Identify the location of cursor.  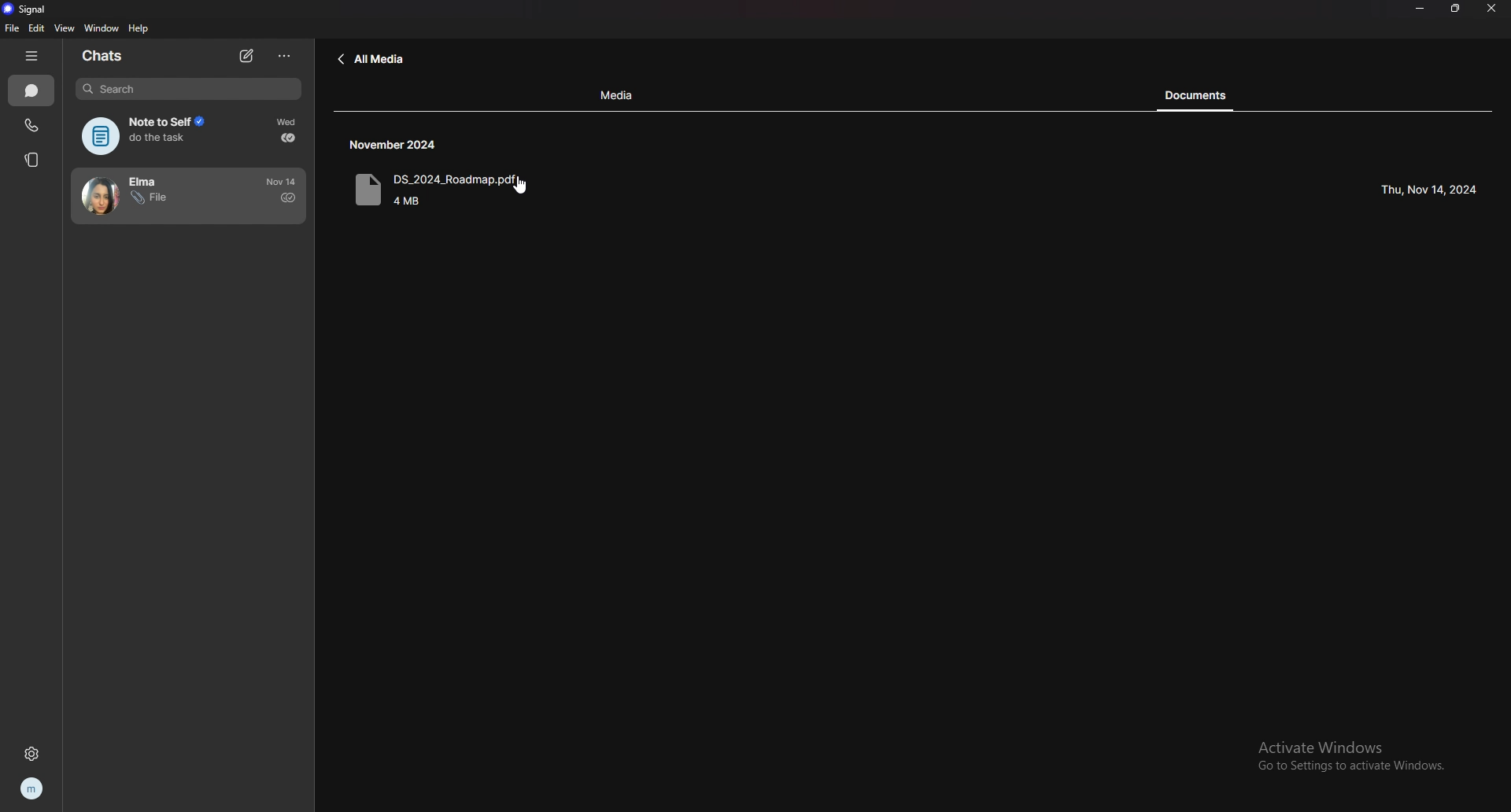
(520, 186).